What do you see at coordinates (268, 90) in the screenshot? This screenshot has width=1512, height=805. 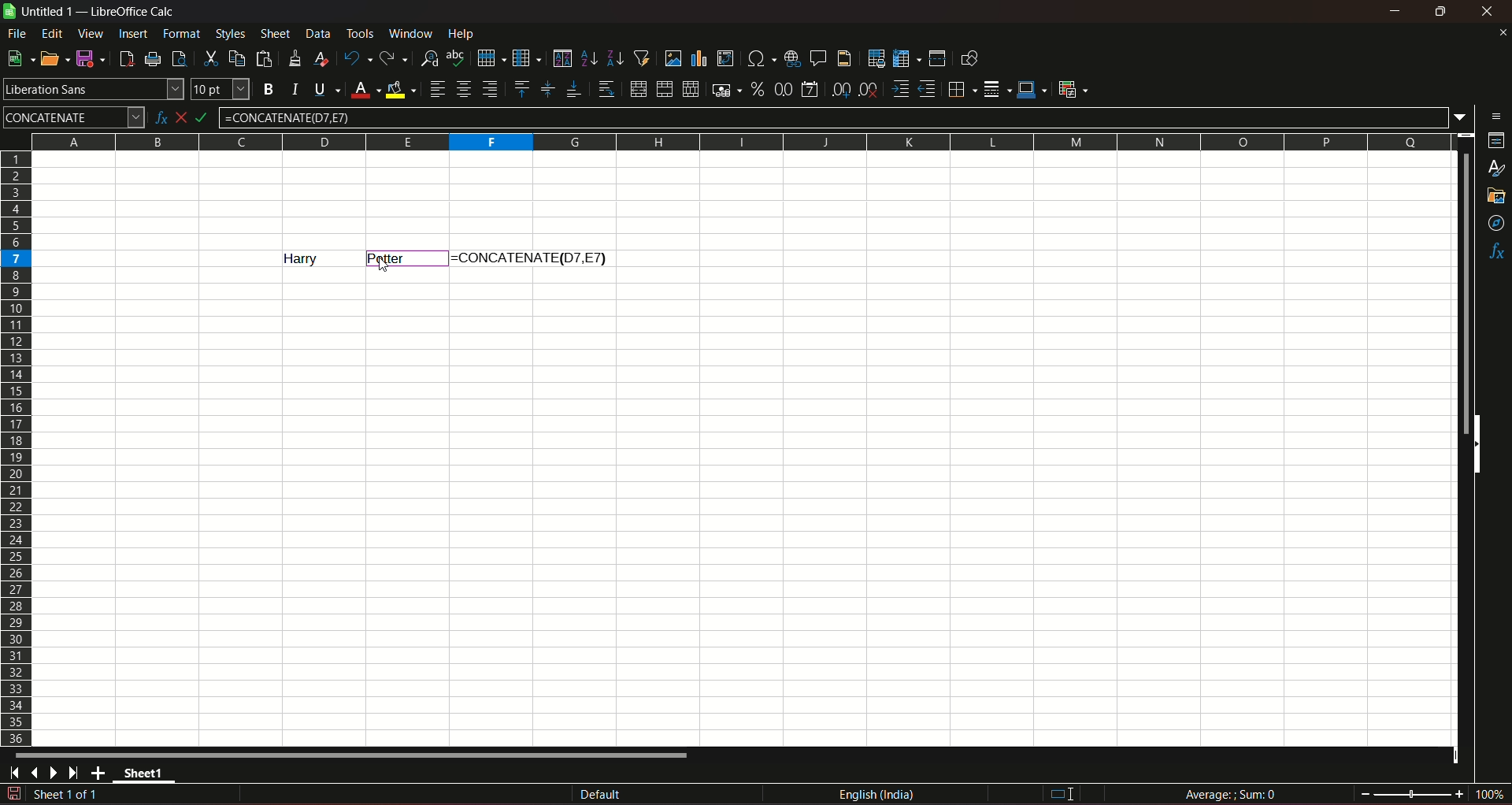 I see `bold` at bounding box center [268, 90].